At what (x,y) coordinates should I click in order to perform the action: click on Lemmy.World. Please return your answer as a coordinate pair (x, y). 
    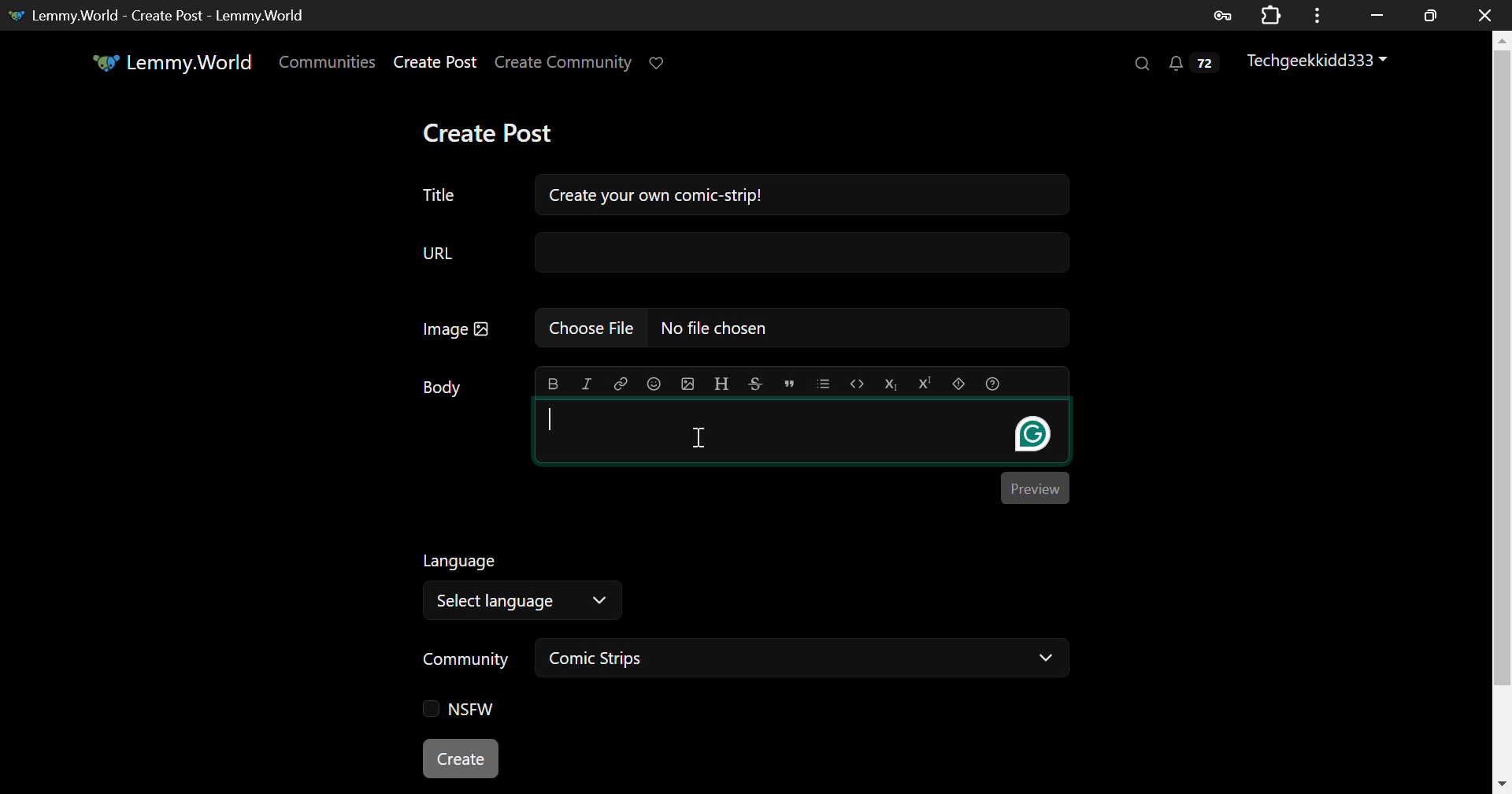
    Looking at the image, I should click on (172, 62).